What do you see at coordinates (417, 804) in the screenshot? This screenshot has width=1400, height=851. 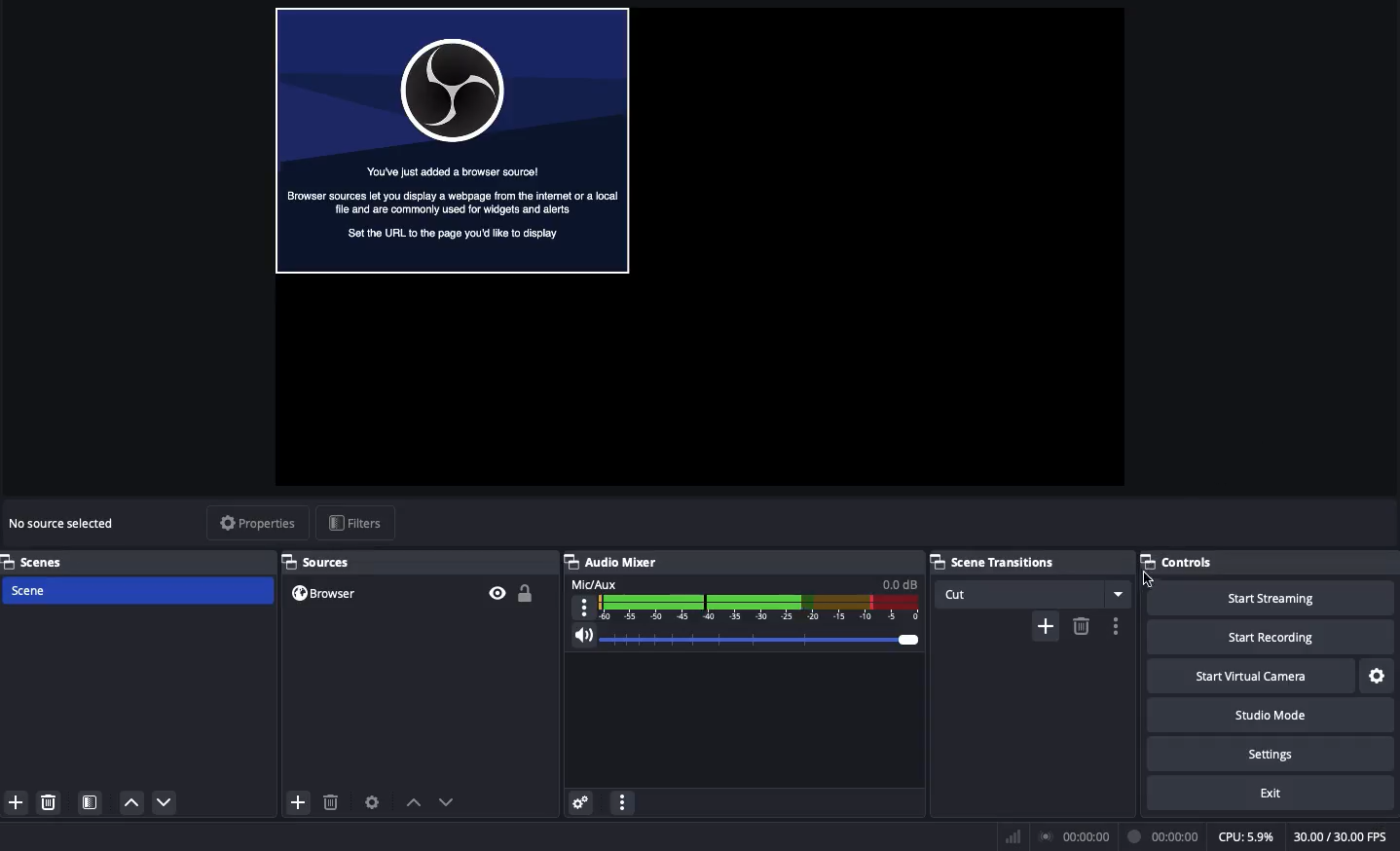 I see `move up` at bounding box center [417, 804].